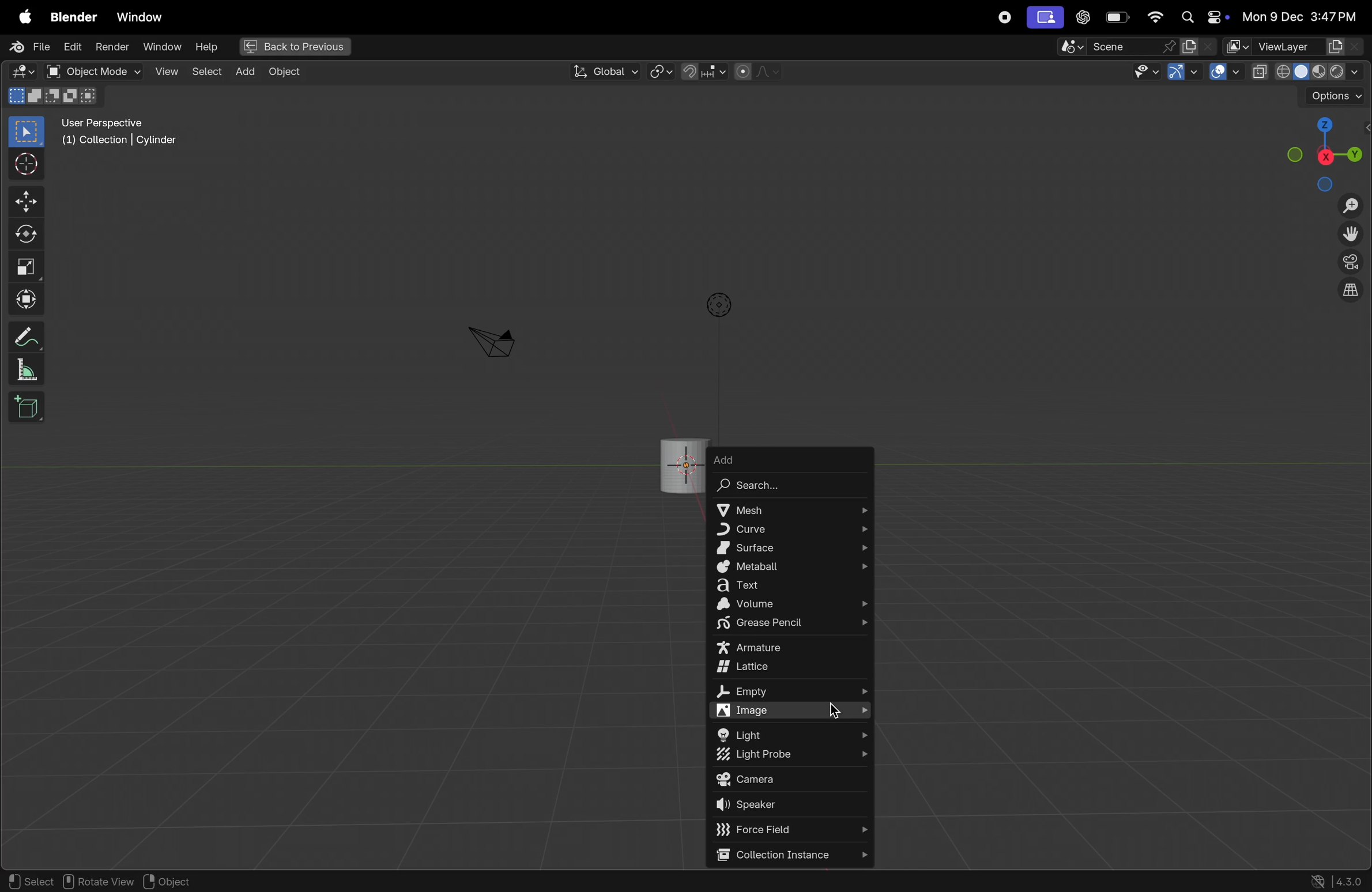 The image size is (1372, 892). I want to click on force fast, so click(784, 829).